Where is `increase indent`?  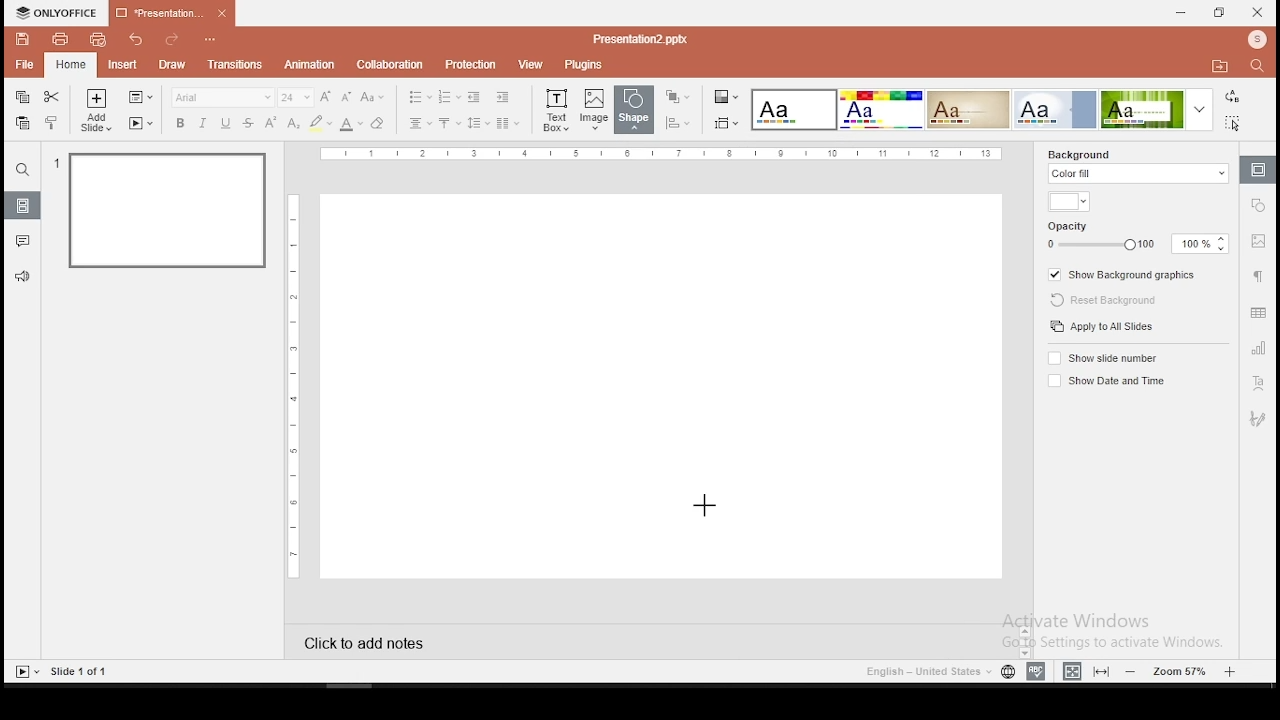 increase indent is located at coordinates (503, 96).